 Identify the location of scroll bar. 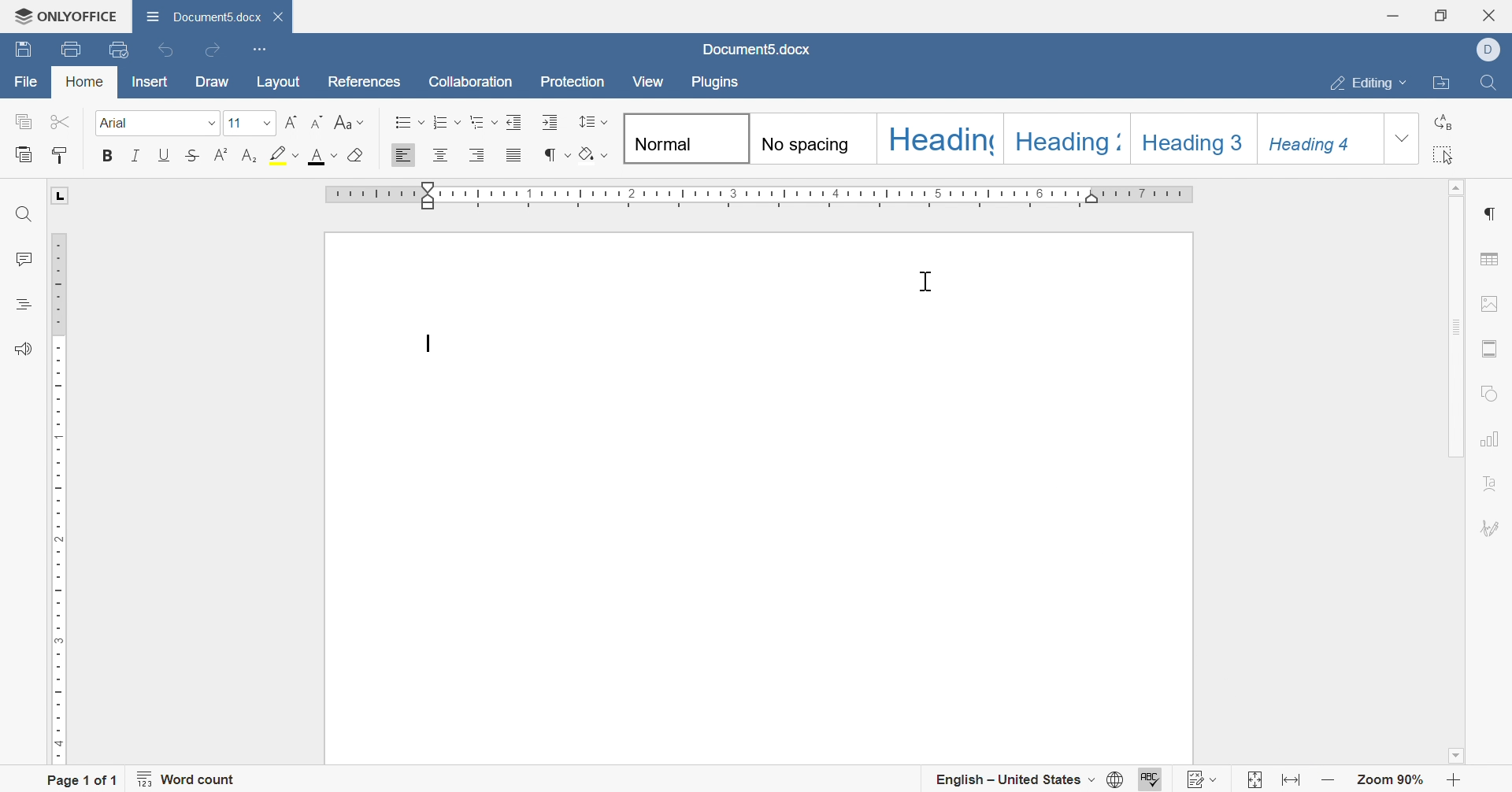
(1458, 327).